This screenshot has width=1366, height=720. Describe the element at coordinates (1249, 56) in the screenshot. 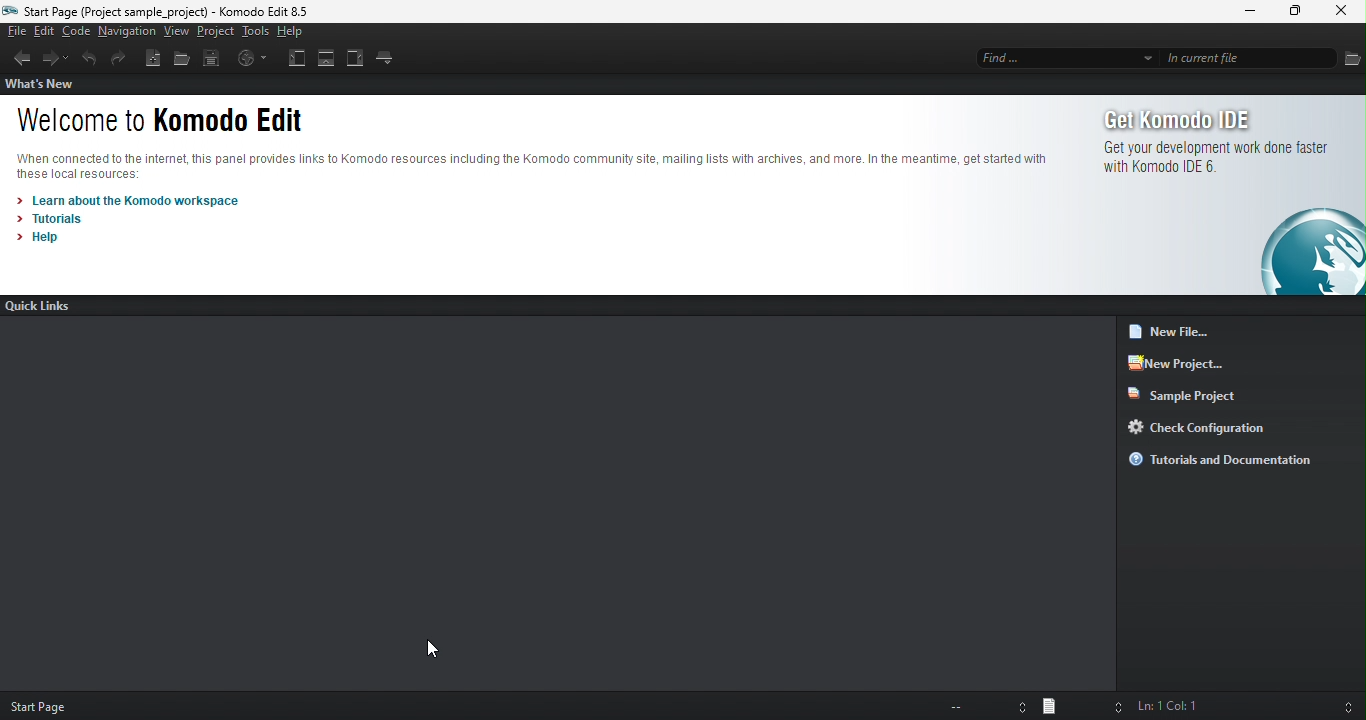

I see `in current file` at that location.